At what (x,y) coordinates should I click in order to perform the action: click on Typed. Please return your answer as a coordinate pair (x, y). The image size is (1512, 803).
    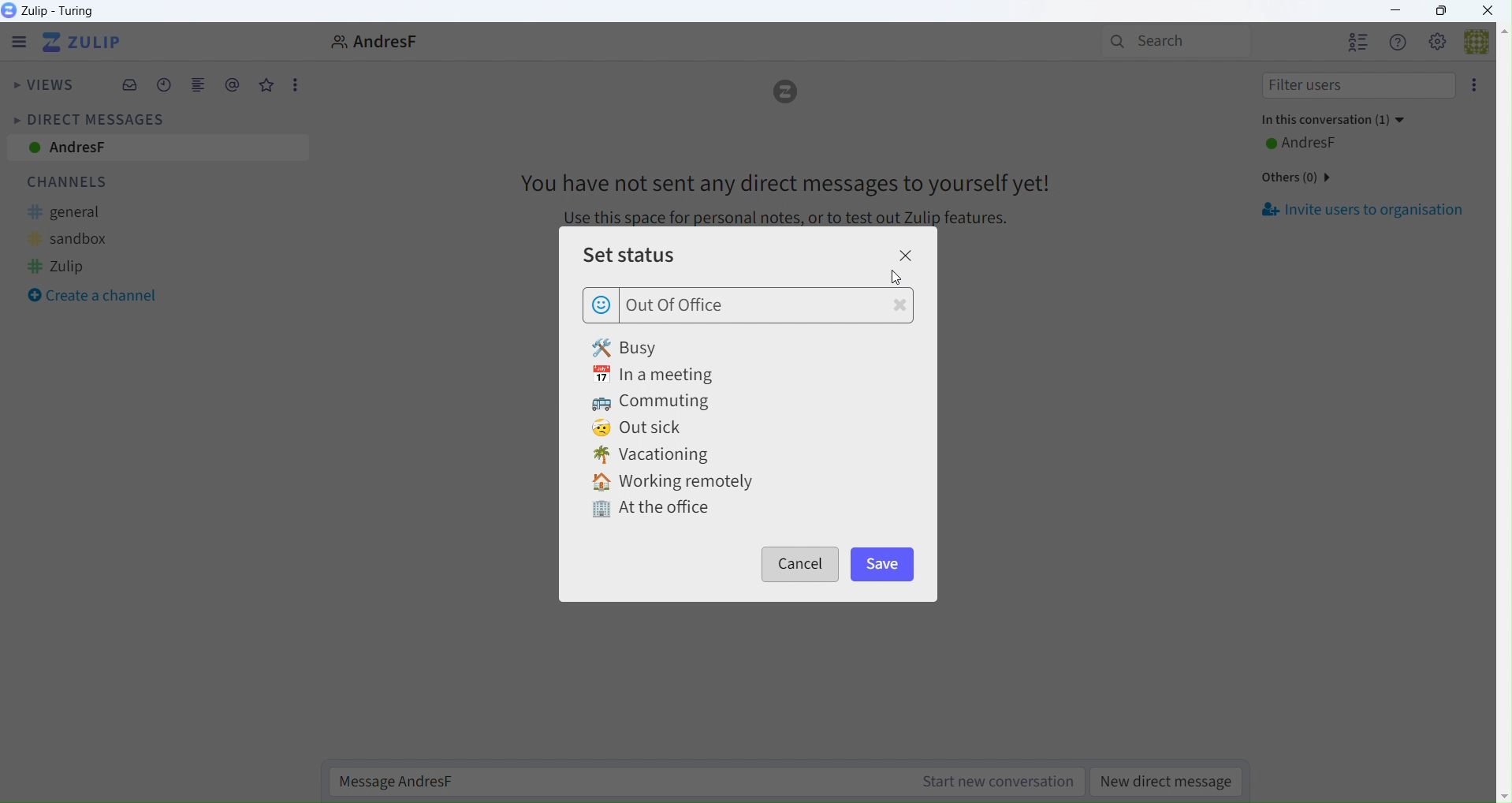
    Looking at the image, I should click on (686, 305).